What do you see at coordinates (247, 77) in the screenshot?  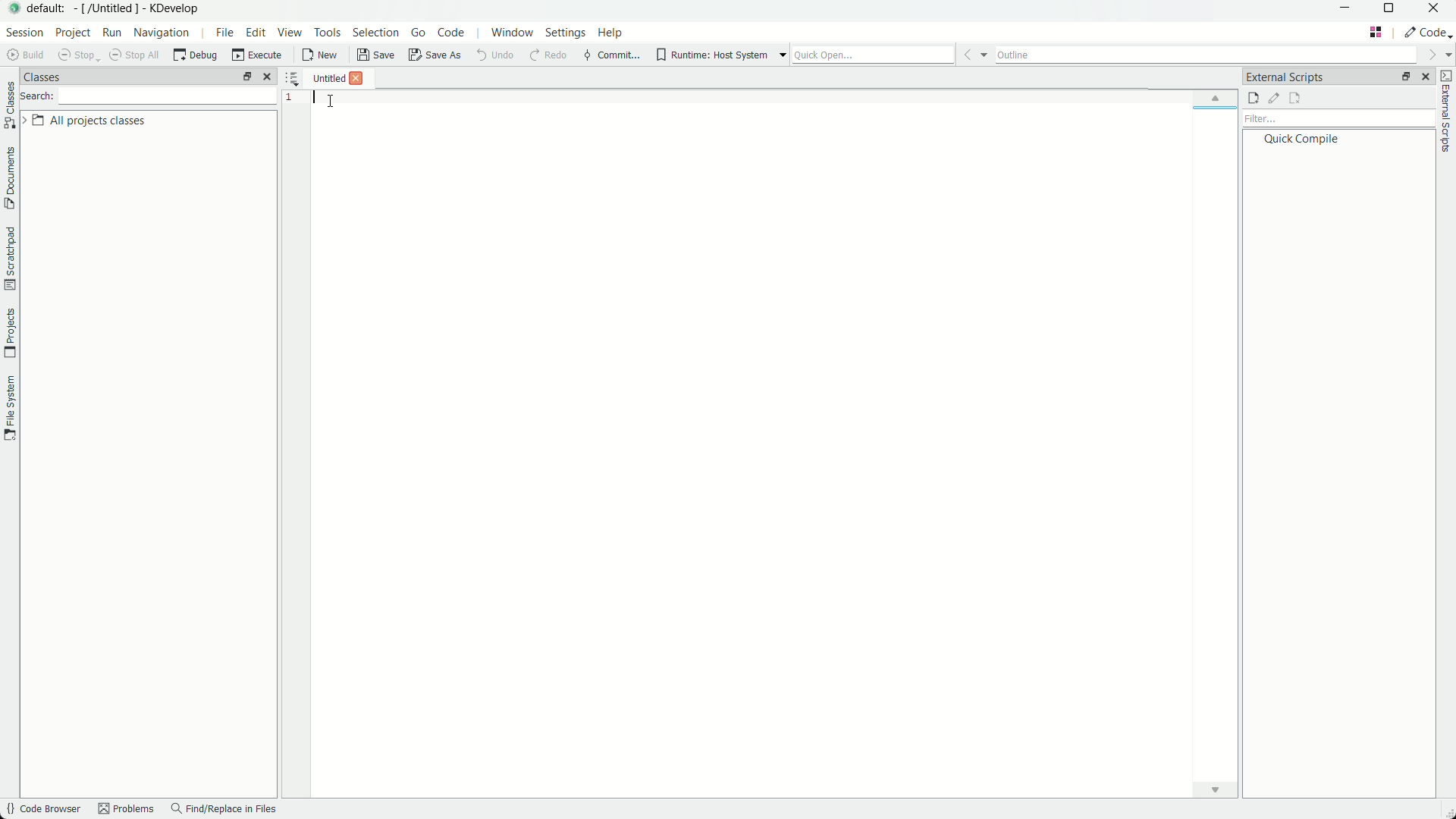 I see `edit tabs` at bounding box center [247, 77].